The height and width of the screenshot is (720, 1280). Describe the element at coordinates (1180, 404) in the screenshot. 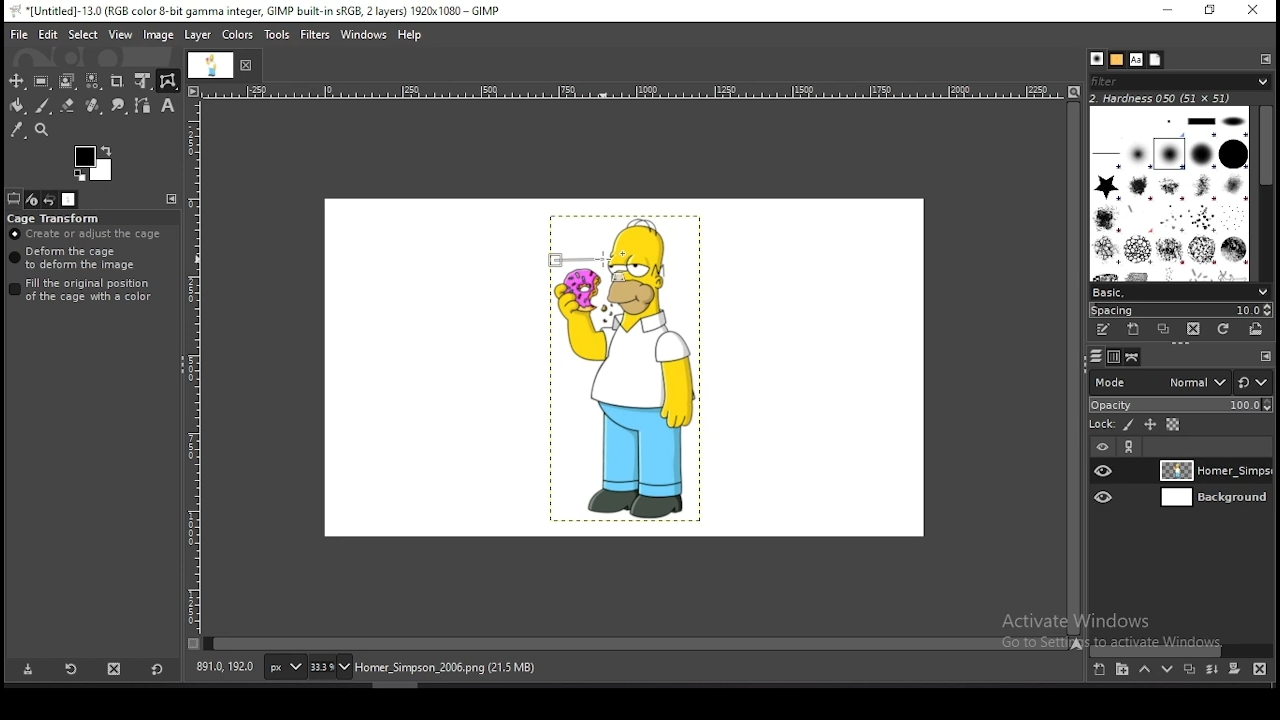

I see `opacity` at that location.